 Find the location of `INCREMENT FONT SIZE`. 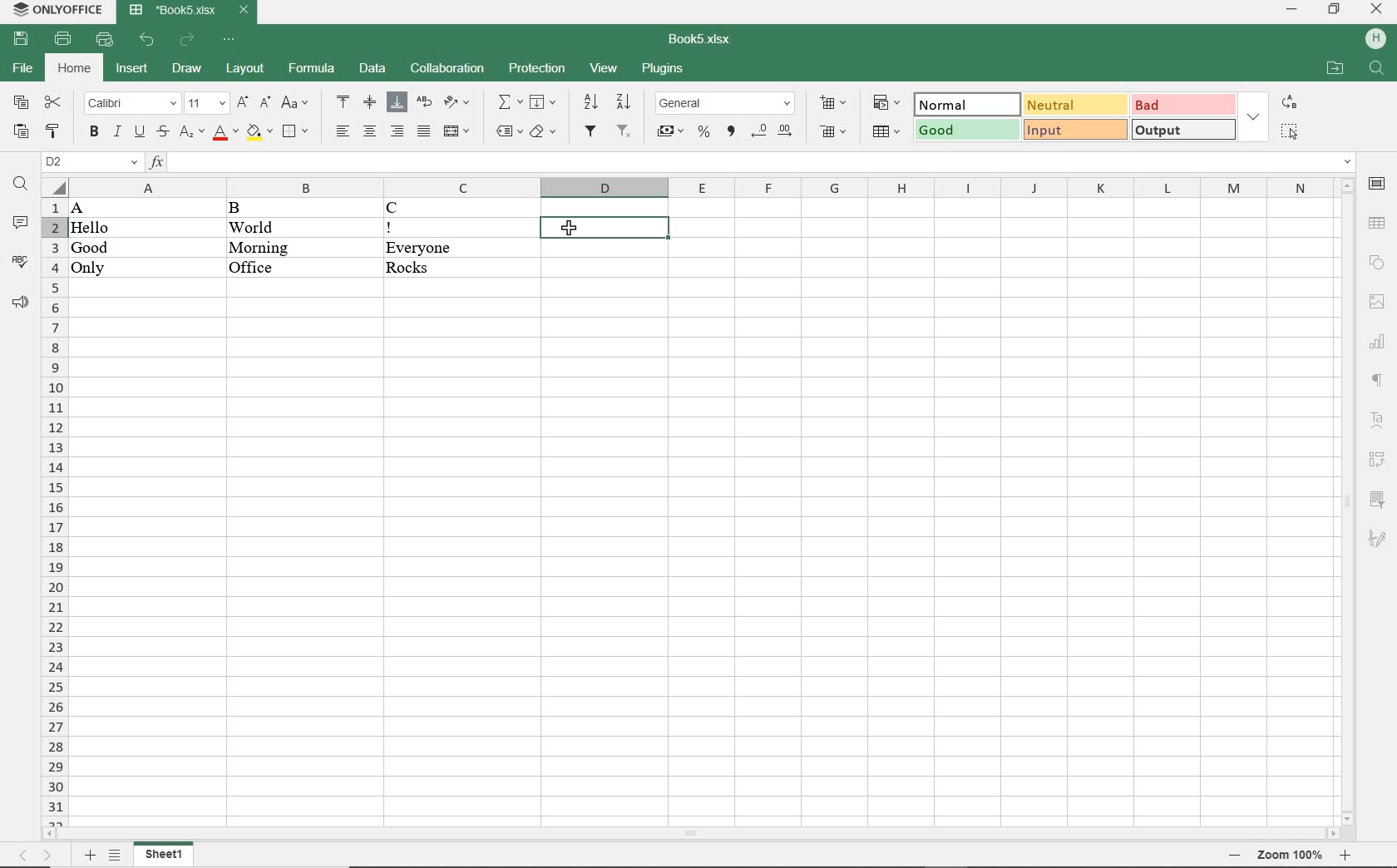

INCREMENT FONT SIZE is located at coordinates (244, 104).